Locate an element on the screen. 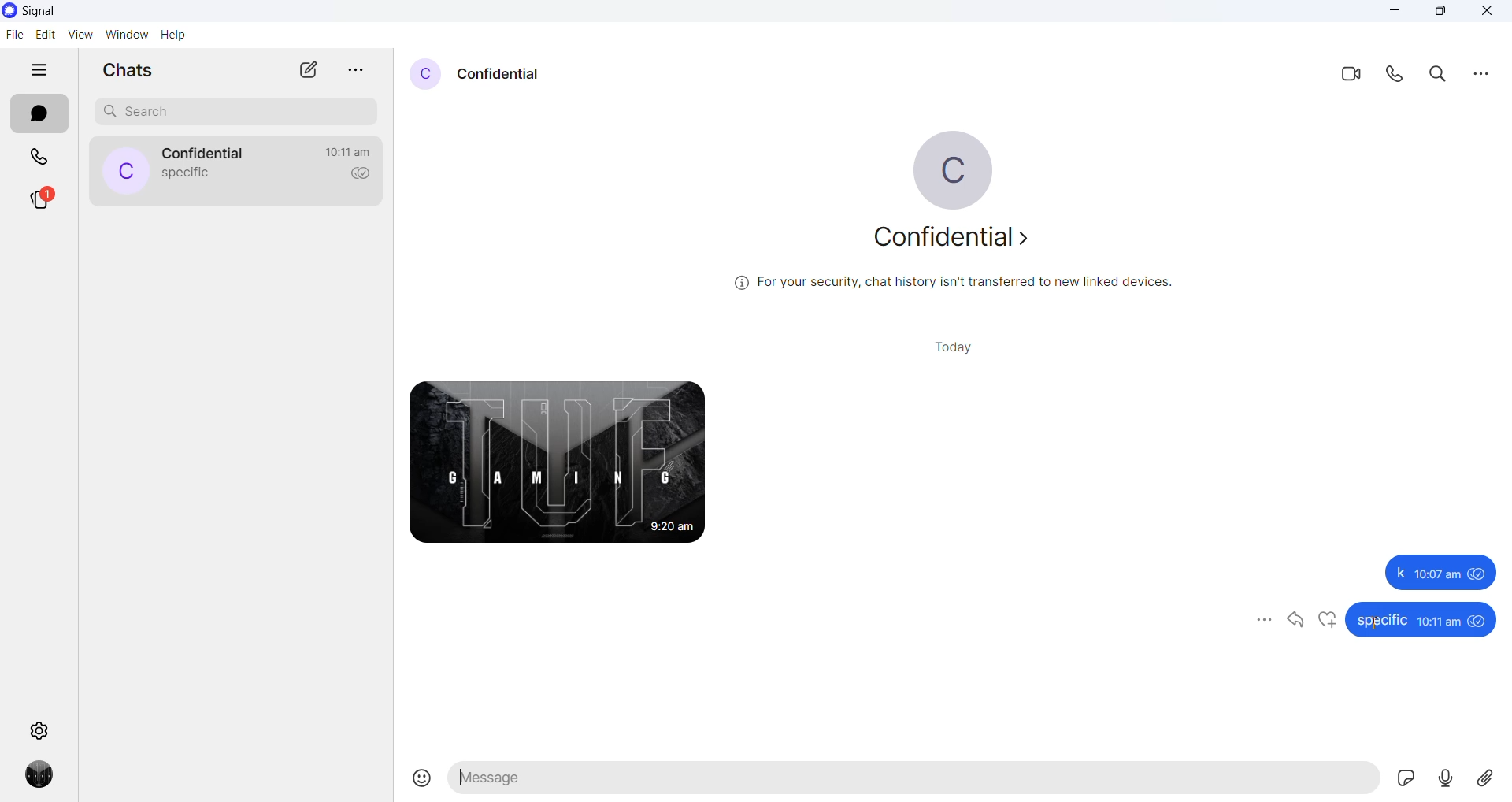  profile is located at coordinates (42, 774).